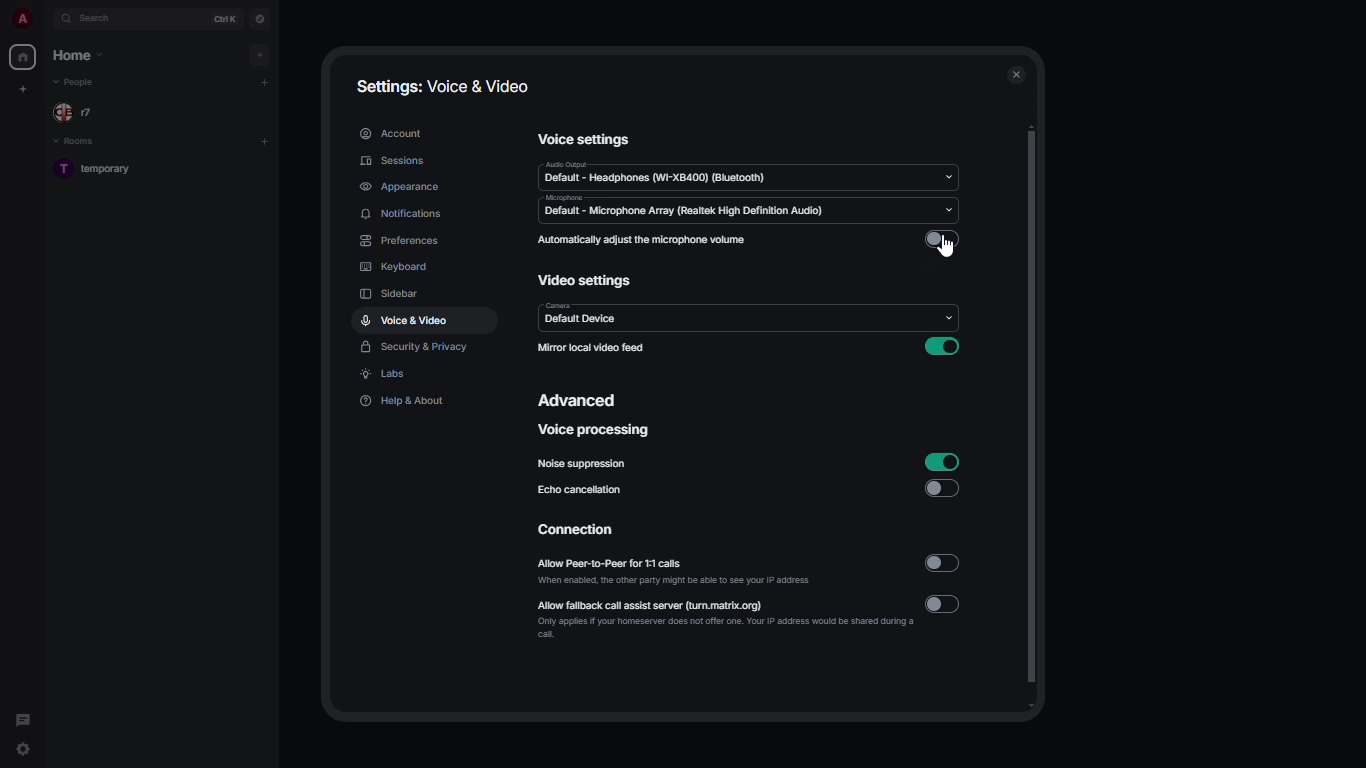 The image size is (1366, 768). I want to click on keyboard, so click(397, 268).